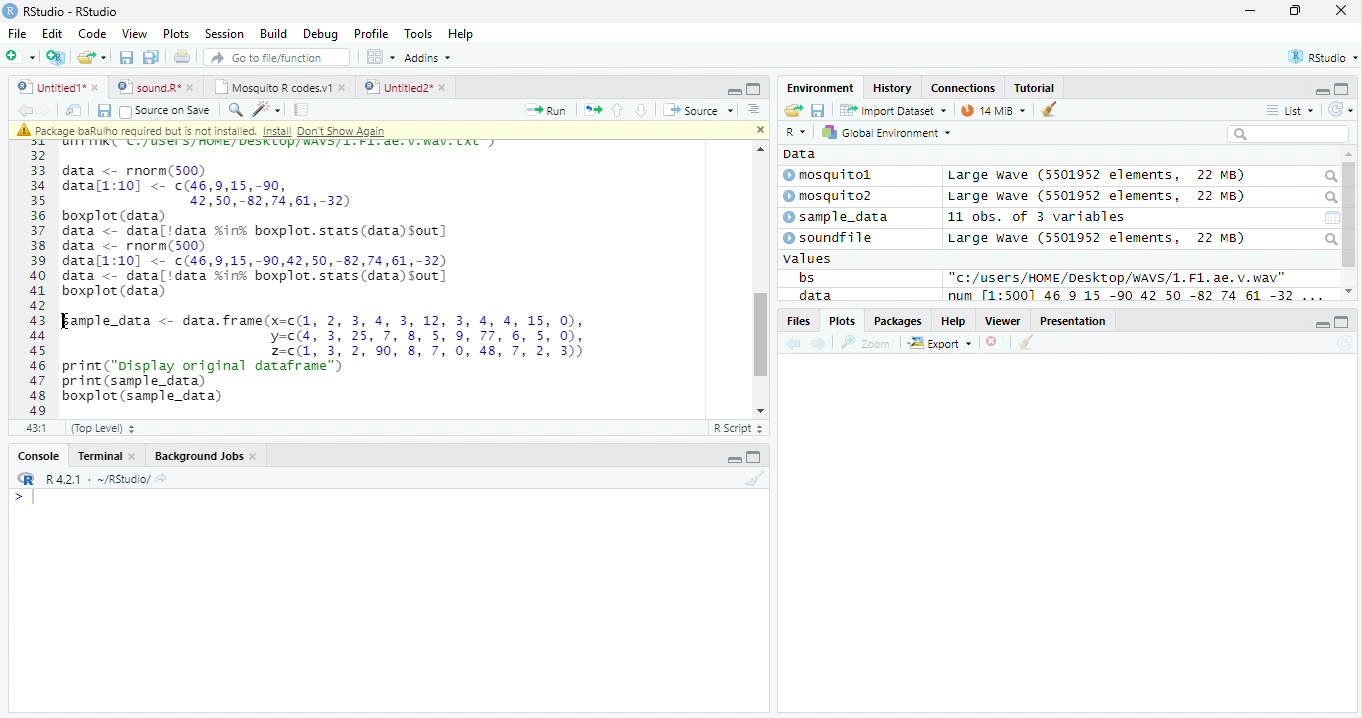 Image resolution: width=1362 pixels, height=718 pixels. I want to click on full screen, so click(754, 456).